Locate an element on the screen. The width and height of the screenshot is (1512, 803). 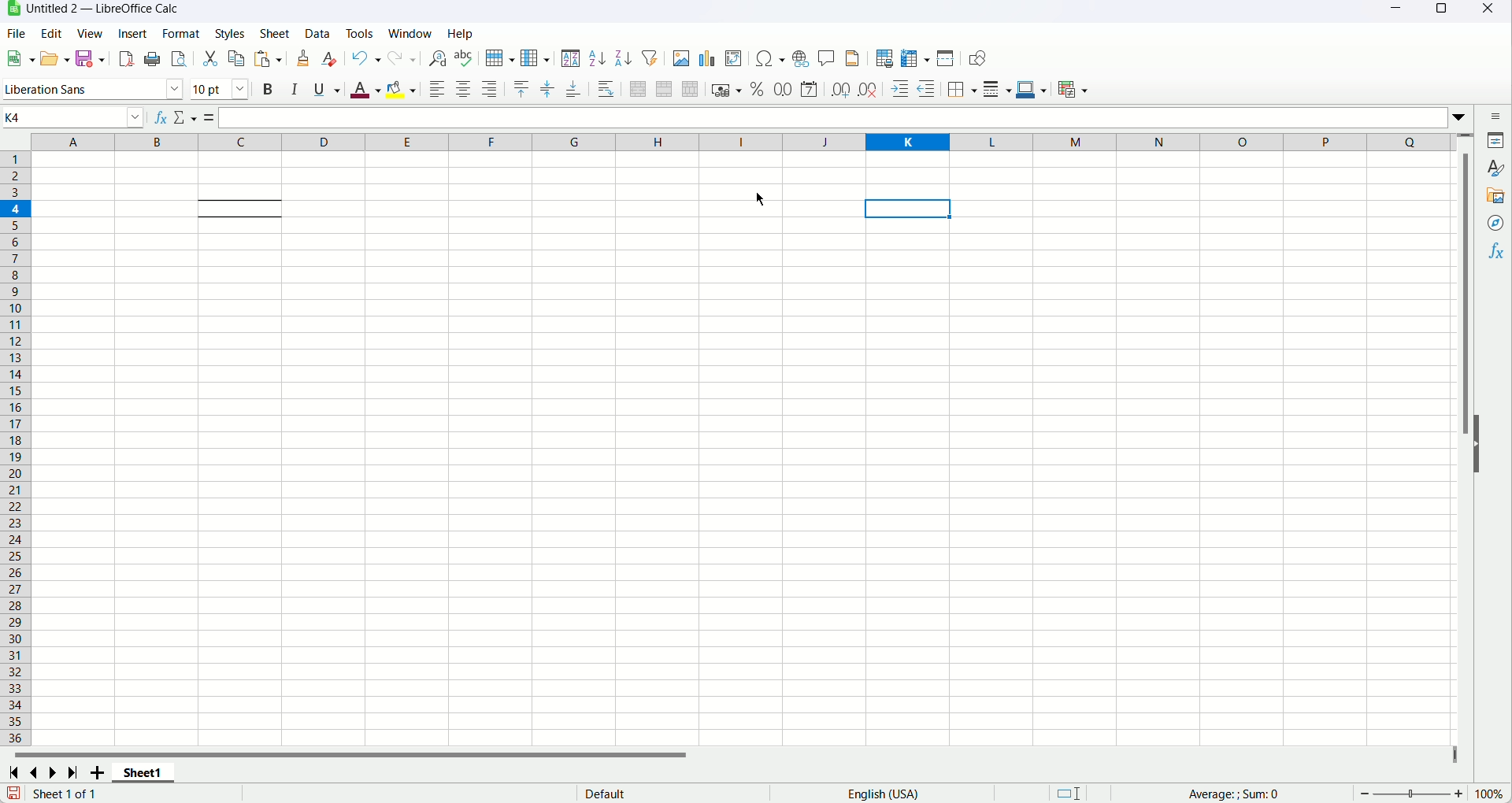
Help is located at coordinates (461, 34).